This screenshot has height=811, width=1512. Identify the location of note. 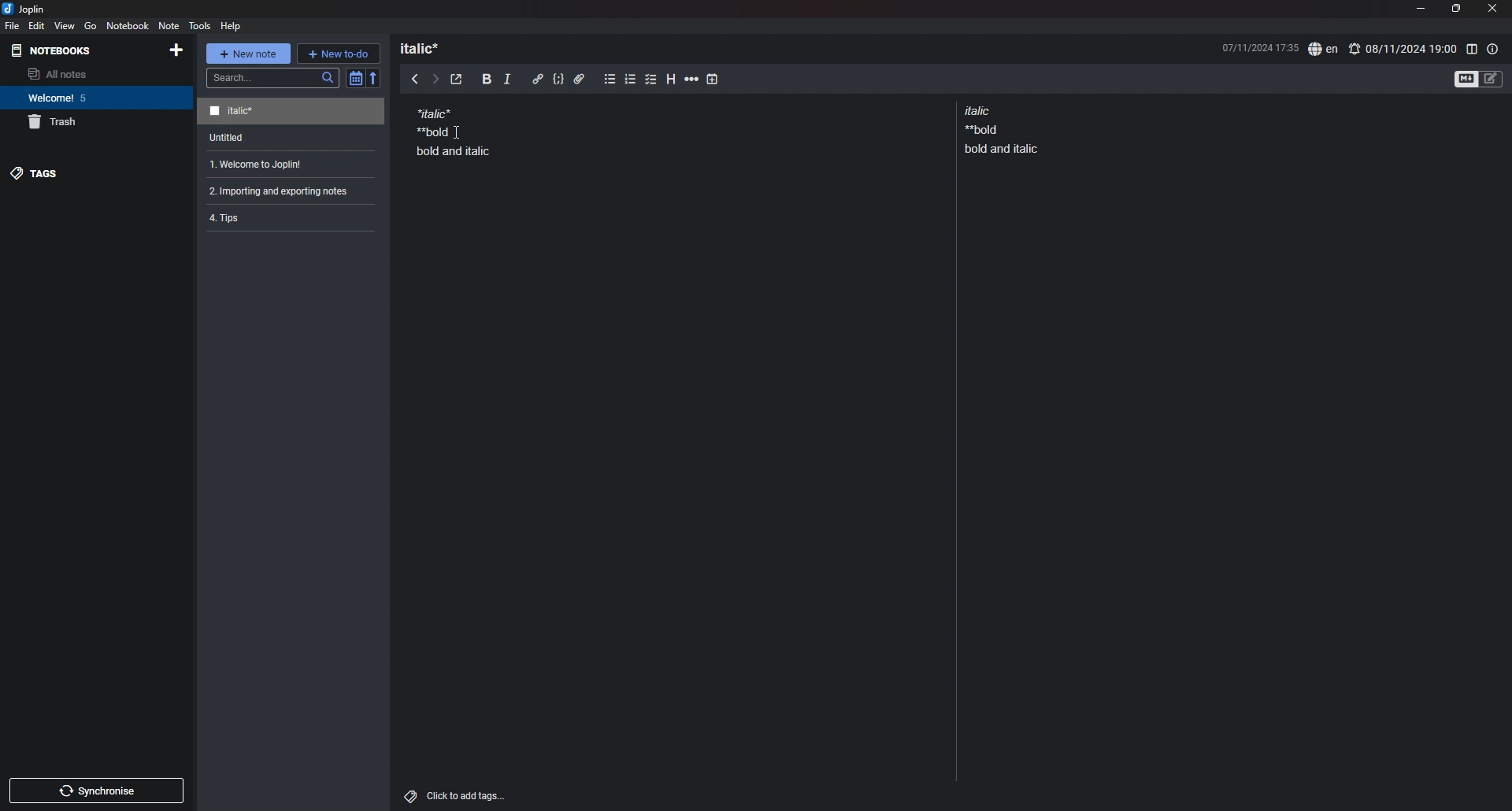
(285, 217).